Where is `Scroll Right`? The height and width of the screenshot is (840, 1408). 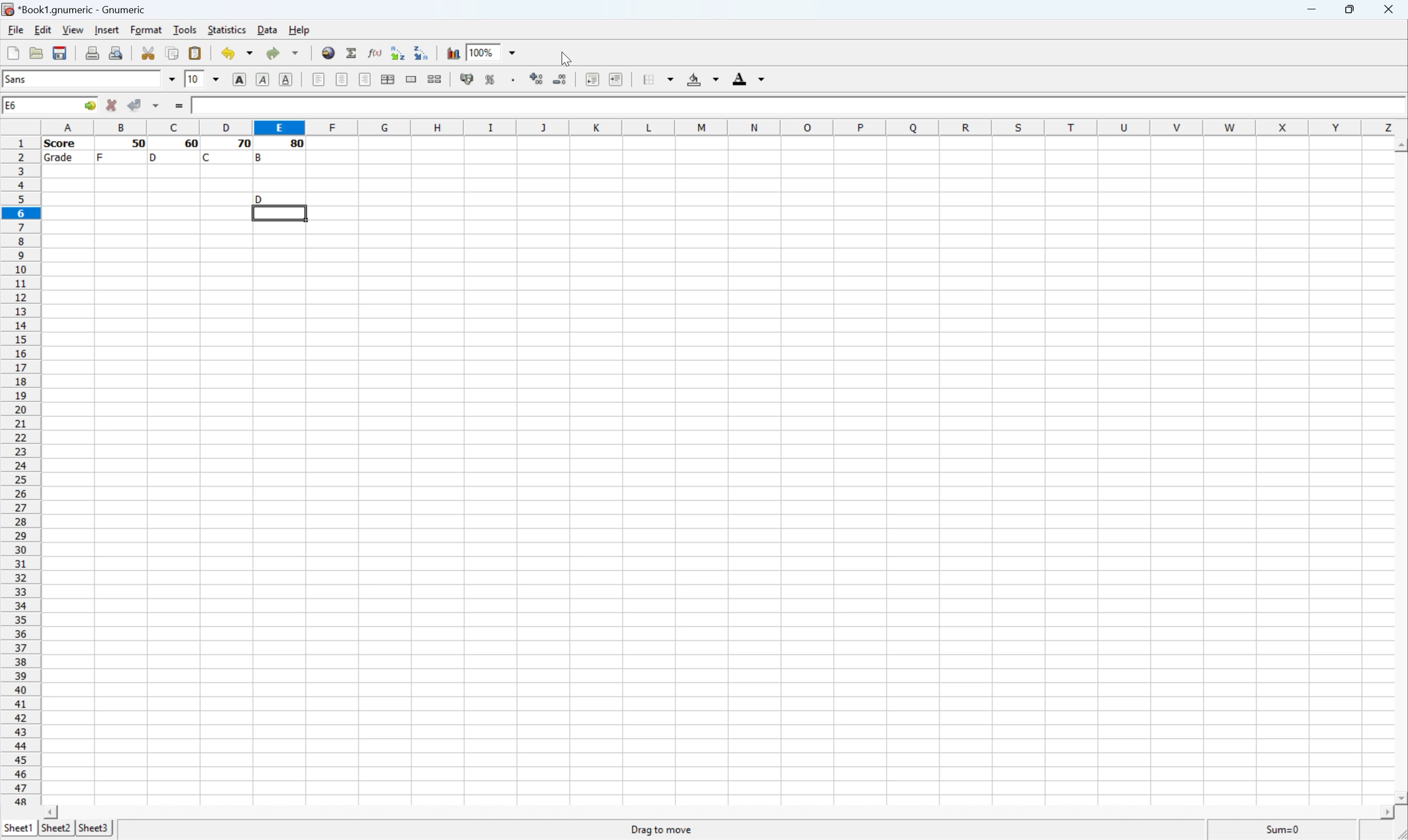
Scroll Right is located at coordinates (1382, 812).